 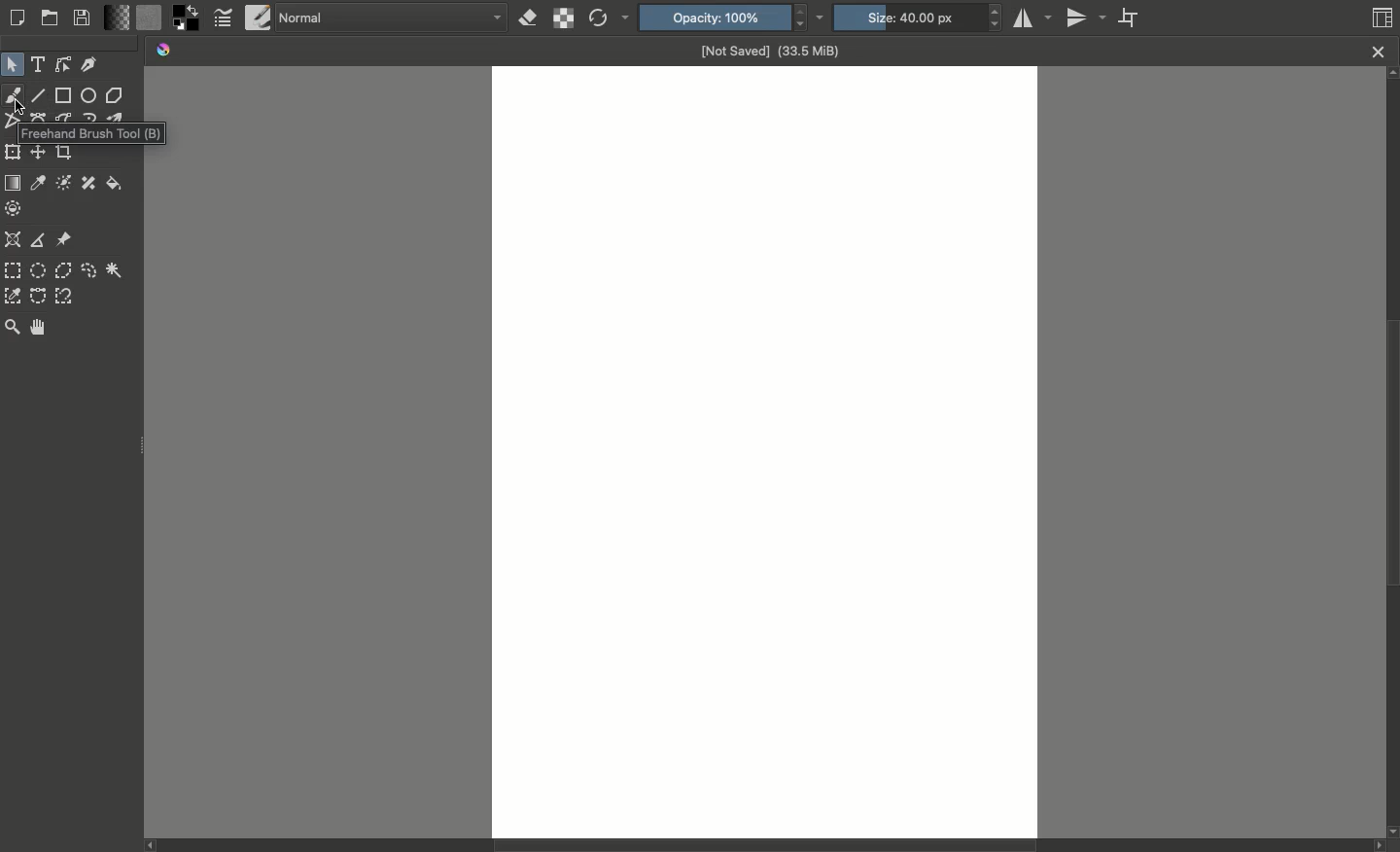 What do you see at coordinates (526, 20) in the screenshot?
I see `Set eraser mode` at bounding box center [526, 20].